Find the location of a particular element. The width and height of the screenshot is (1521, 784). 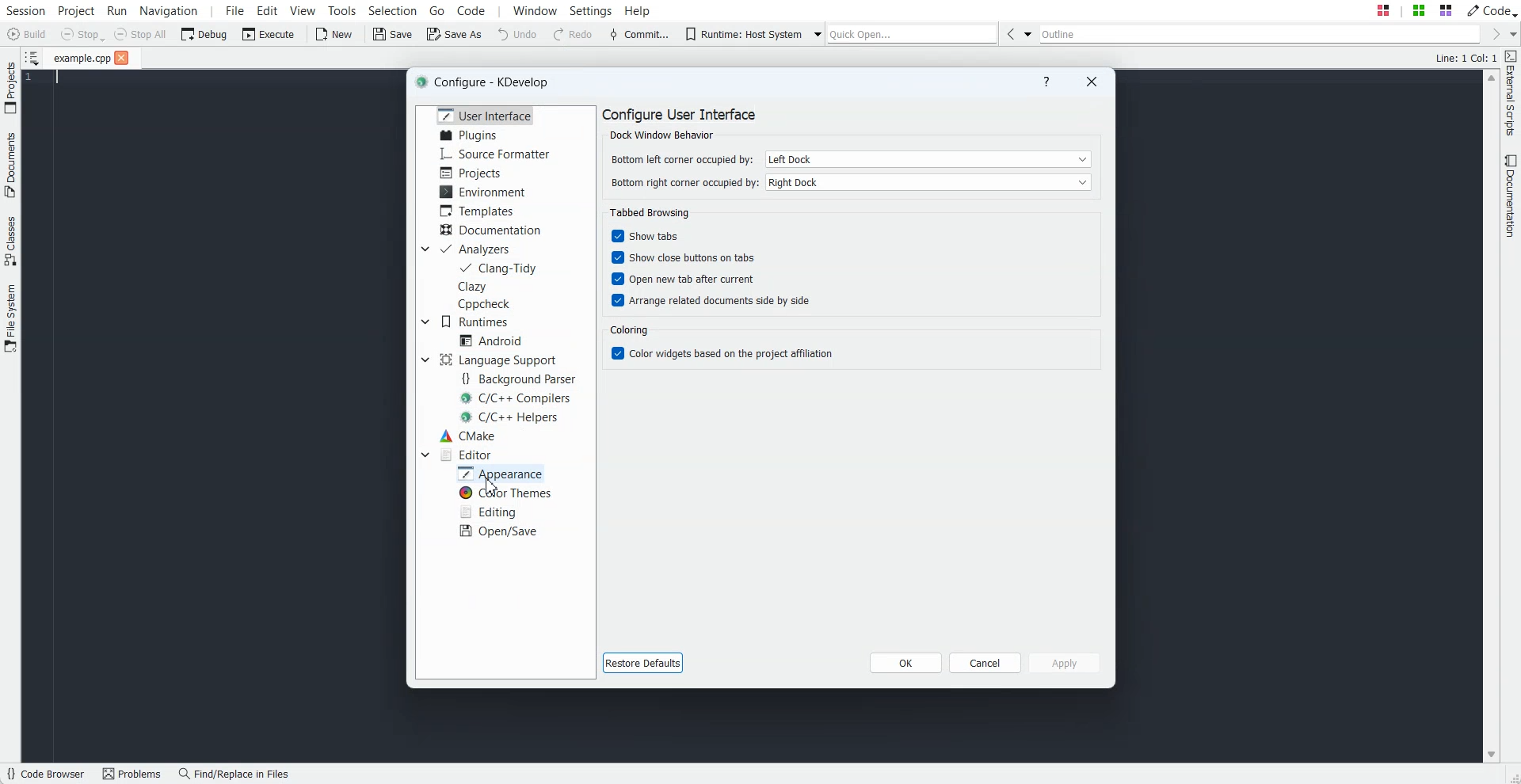

Cancel is located at coordinates (986, 662).